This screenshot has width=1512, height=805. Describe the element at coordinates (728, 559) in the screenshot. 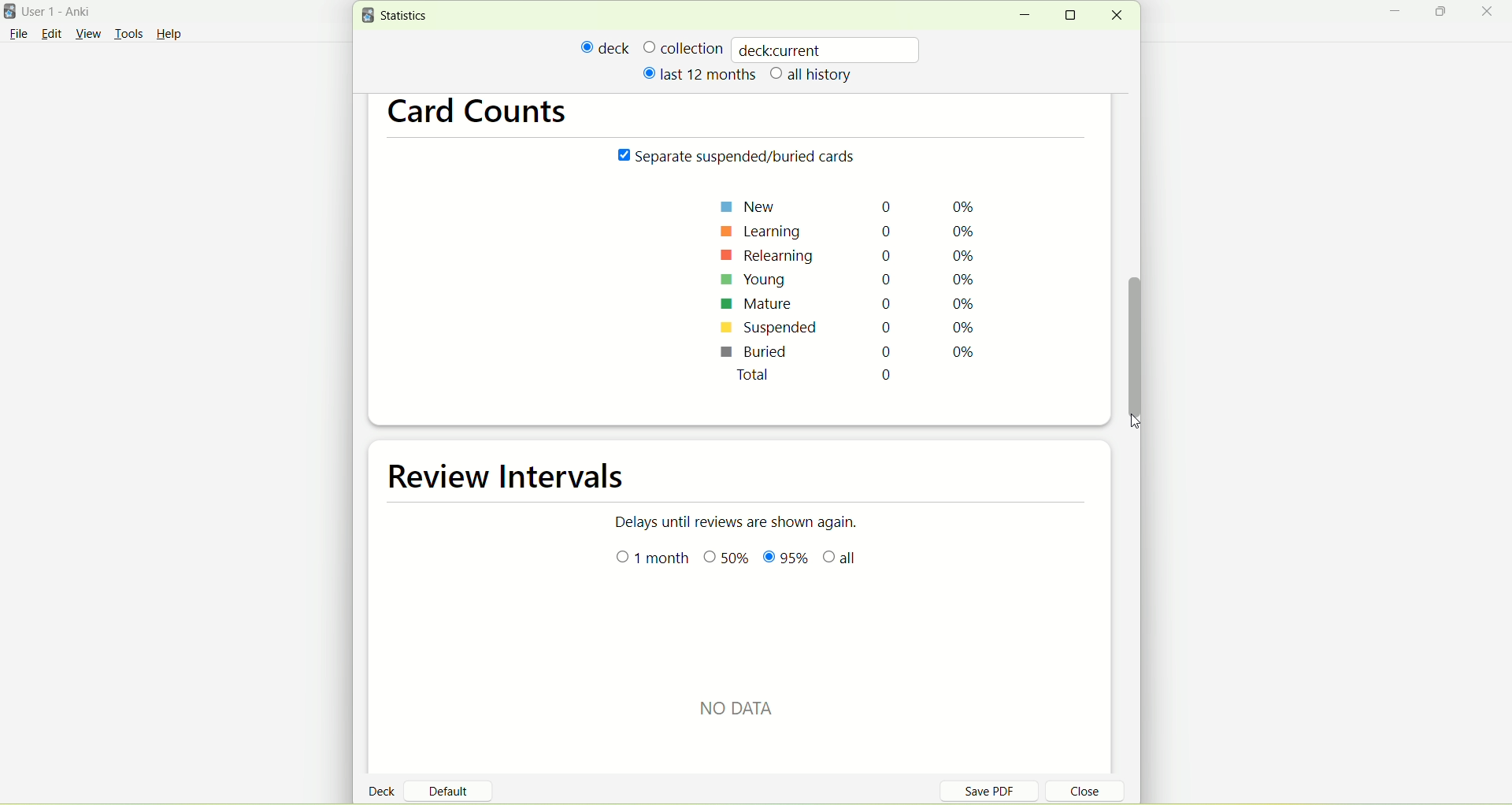

I see `0%` at that location.